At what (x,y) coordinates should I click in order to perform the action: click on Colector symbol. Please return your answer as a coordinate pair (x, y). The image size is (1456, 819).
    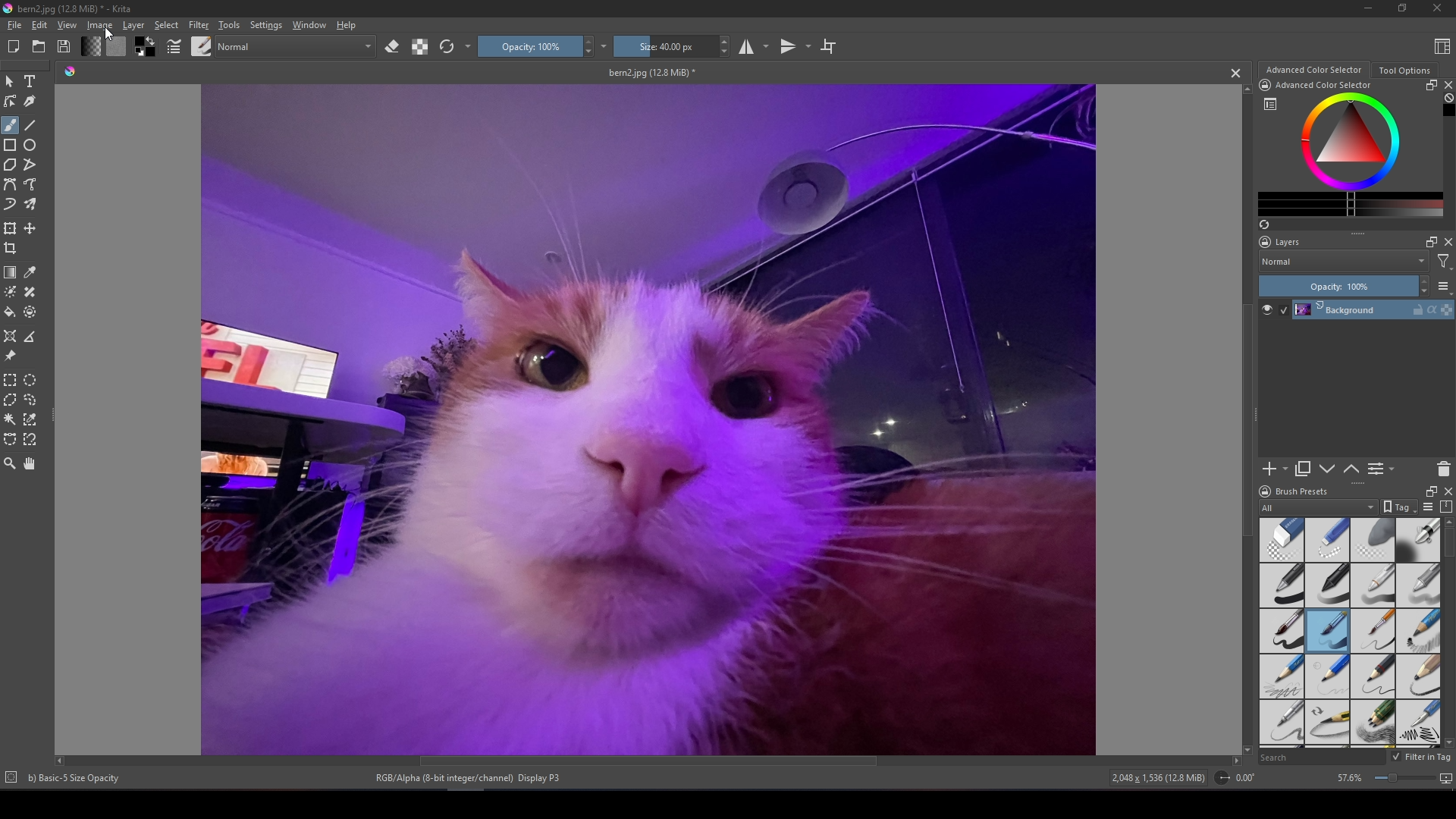
    Looking at the image, I should click on (1270, 104).